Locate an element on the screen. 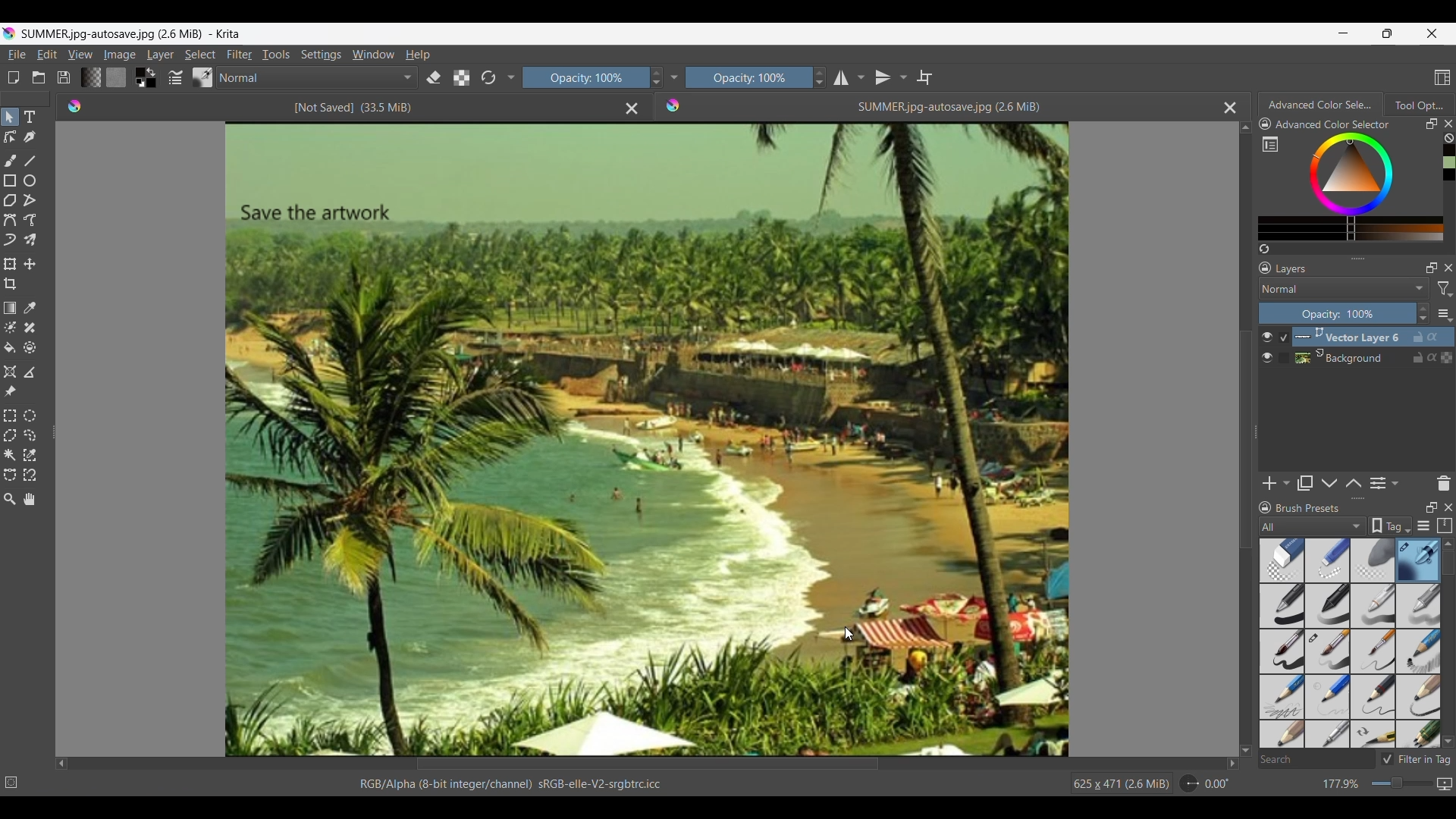 The image size is (1456, 819). Vertical slide bar is located at coordinates (1448, 563).